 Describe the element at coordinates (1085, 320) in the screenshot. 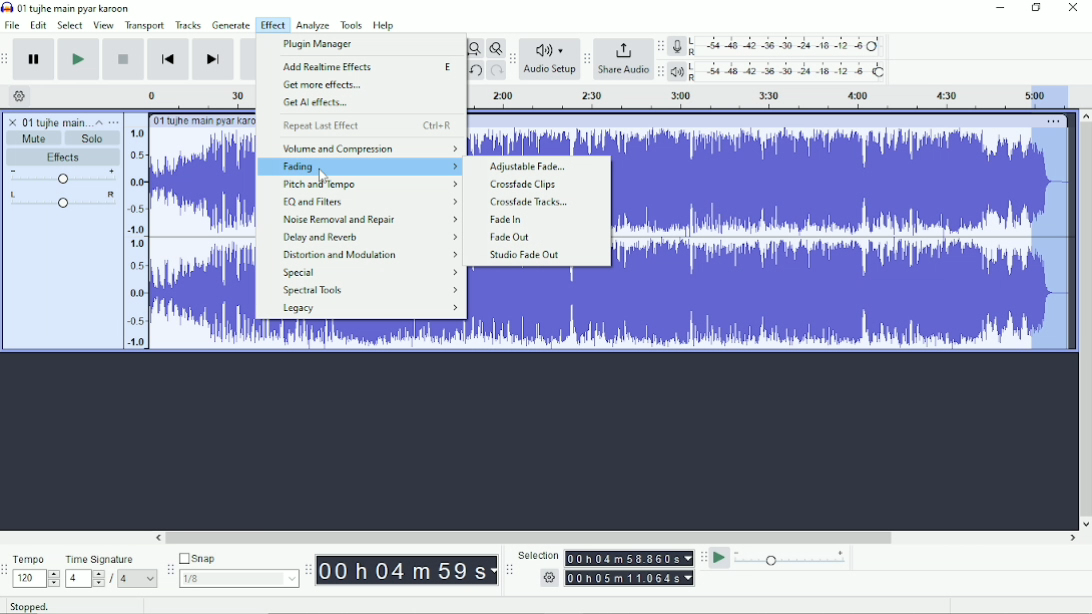

I see `Vertical scrollbar` at that location.